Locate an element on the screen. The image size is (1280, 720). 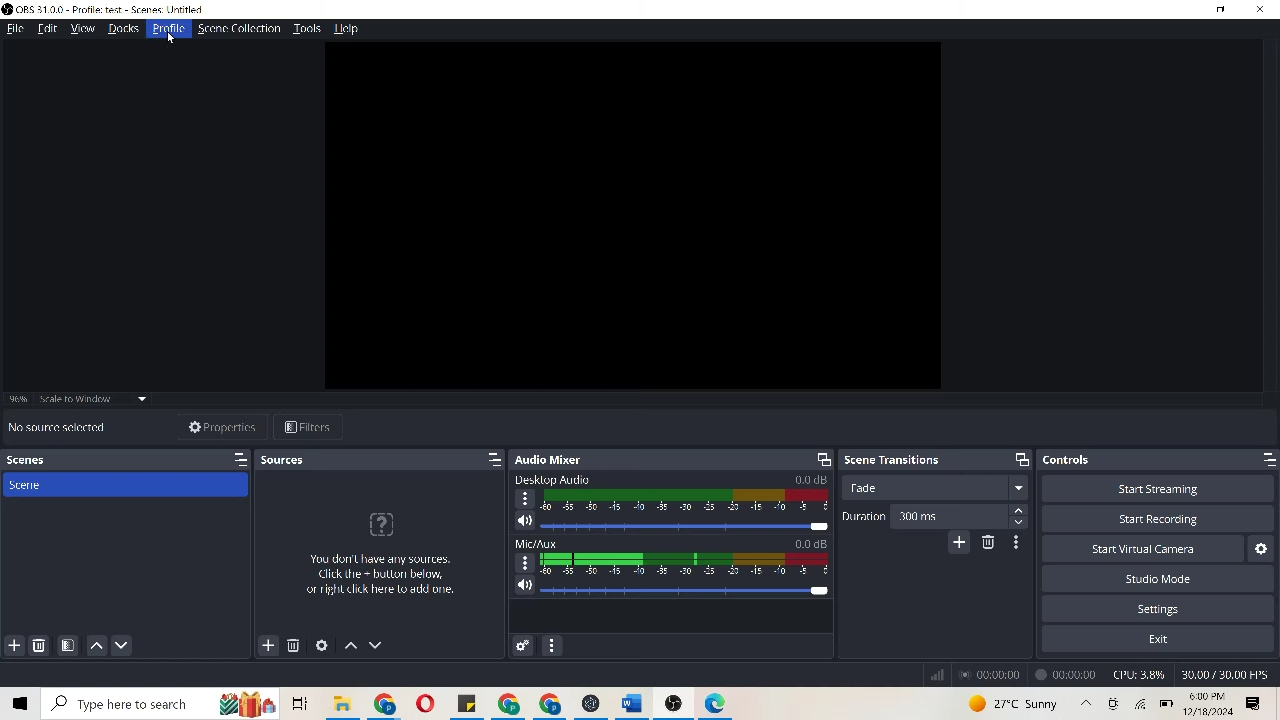
settings is located at coordinates (1264, 548).